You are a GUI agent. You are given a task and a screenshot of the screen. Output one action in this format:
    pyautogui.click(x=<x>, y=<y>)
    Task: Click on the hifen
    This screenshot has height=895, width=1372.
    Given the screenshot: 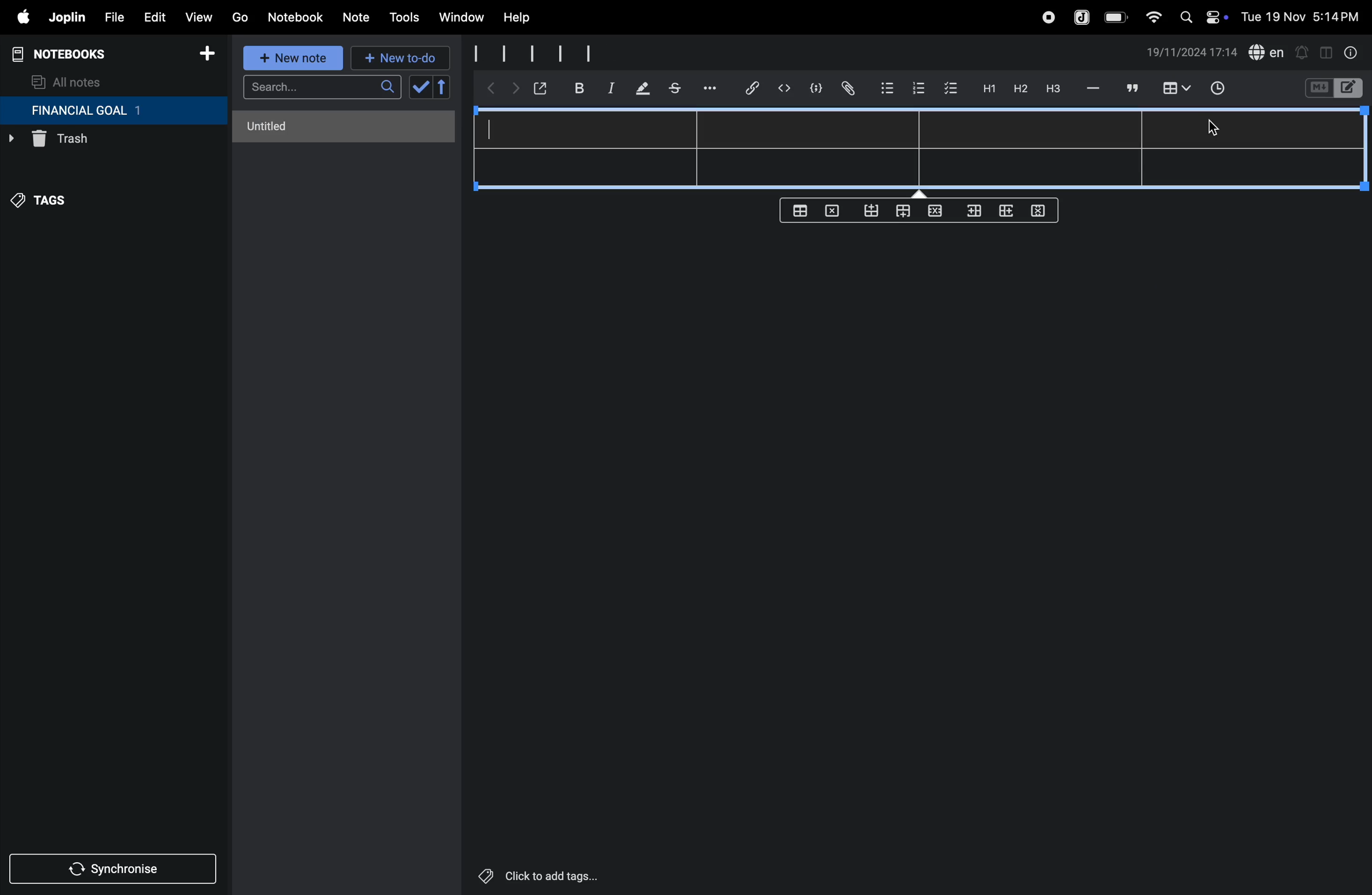 What is the action you would take?
    pyautogui.click(x=1095, y=88)
    